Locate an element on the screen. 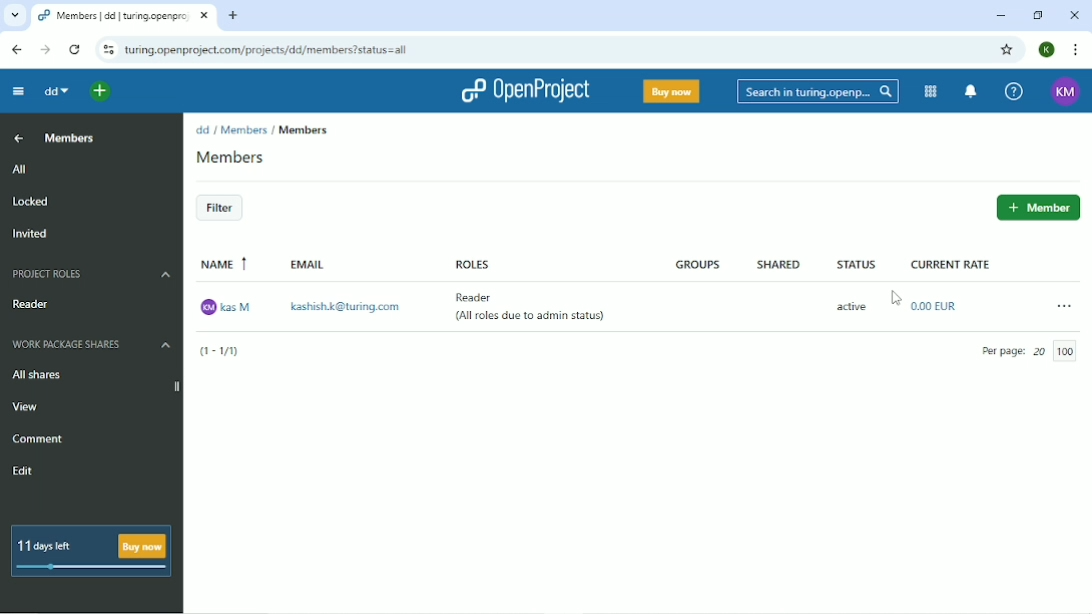 The width and height of the screenshot is (1092, 614). more actions is located at coordinates (1052, 307).